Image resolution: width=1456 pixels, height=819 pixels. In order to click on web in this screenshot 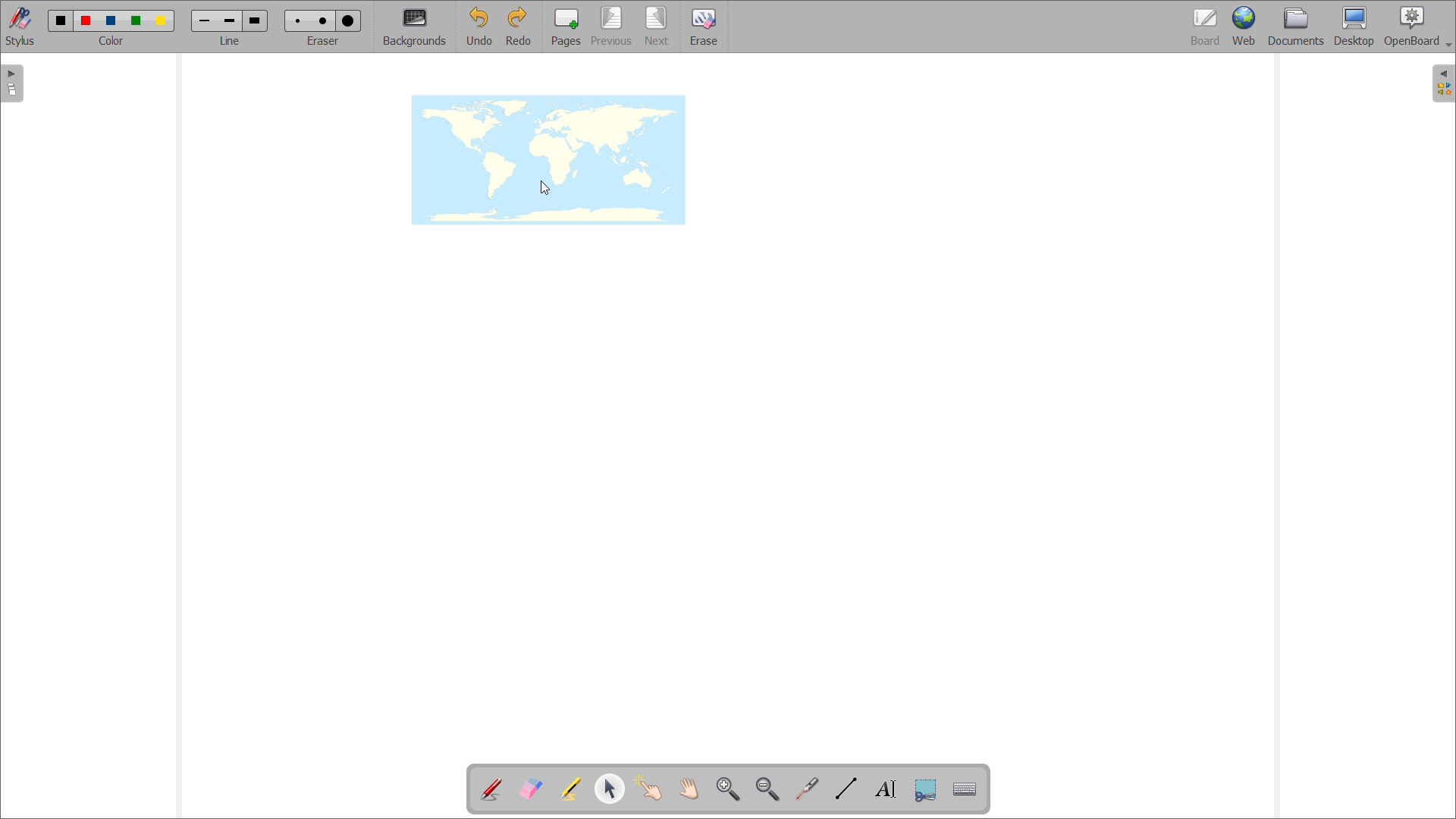, I will do `click(1246, 27)`.